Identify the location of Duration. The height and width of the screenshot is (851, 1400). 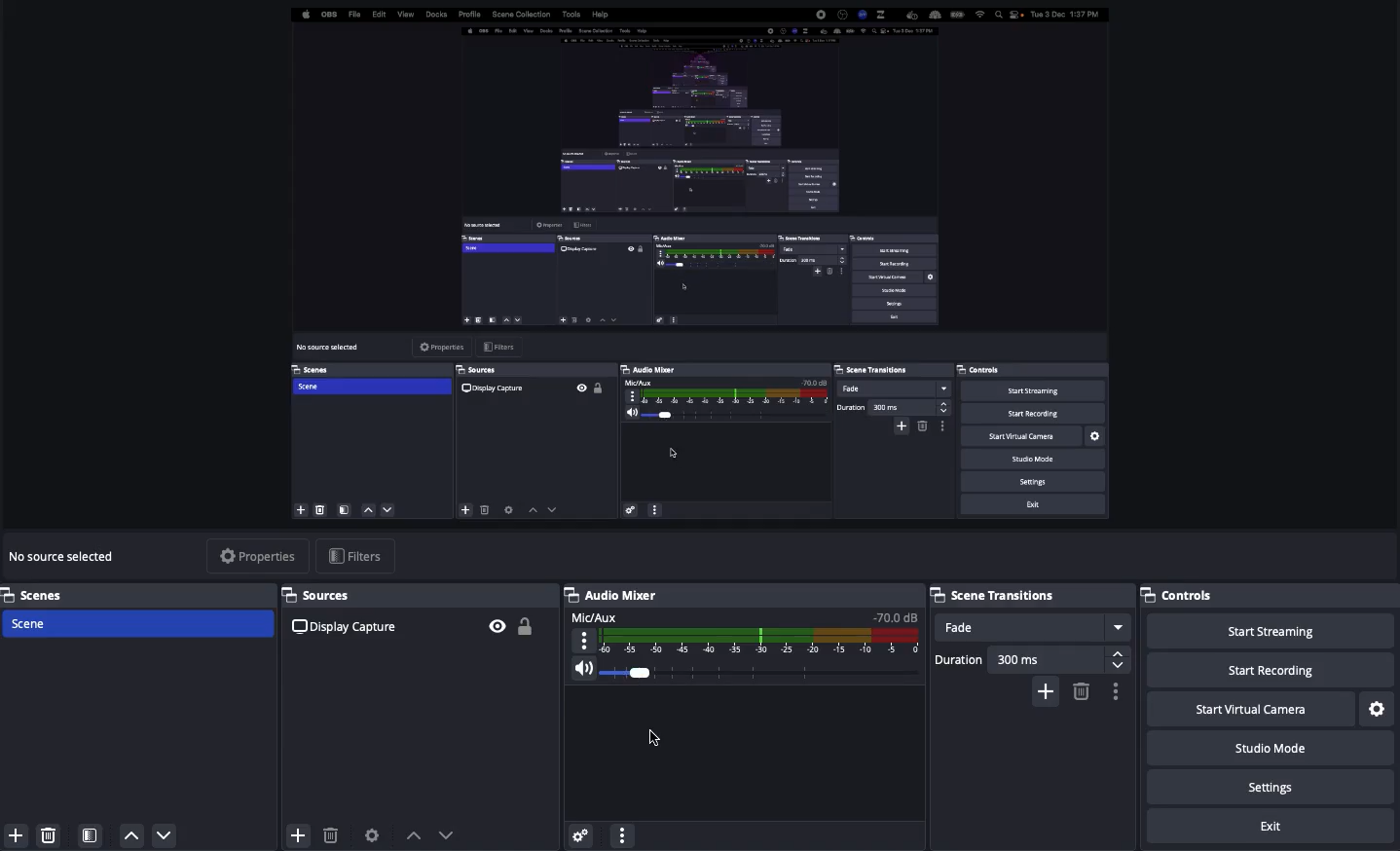
(1027, 656).